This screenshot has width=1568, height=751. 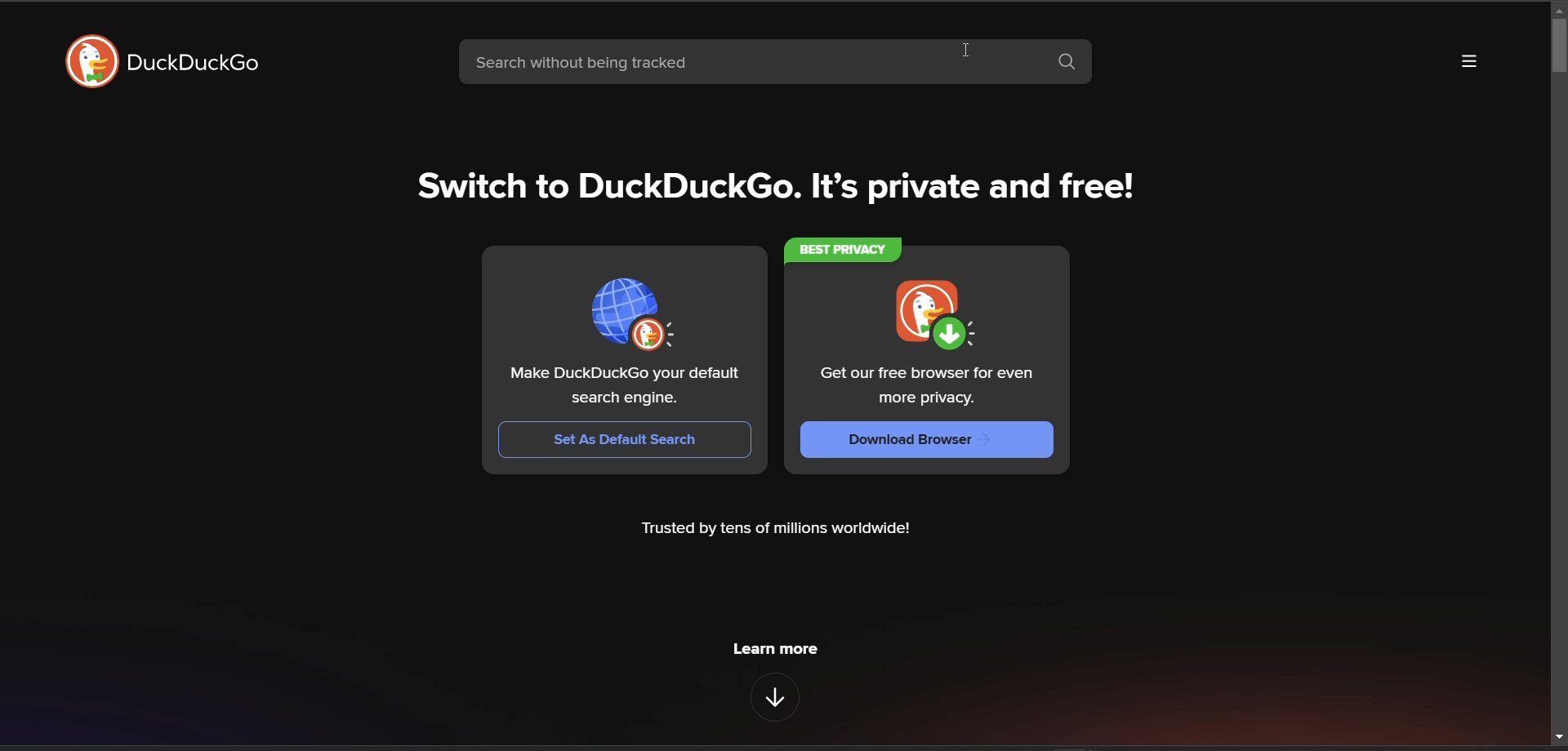 What do you see at coordinates (775, 529) in the screenshot?
I see `Trusted by tens of millions worldwide!` at bounding box center [775, 529].